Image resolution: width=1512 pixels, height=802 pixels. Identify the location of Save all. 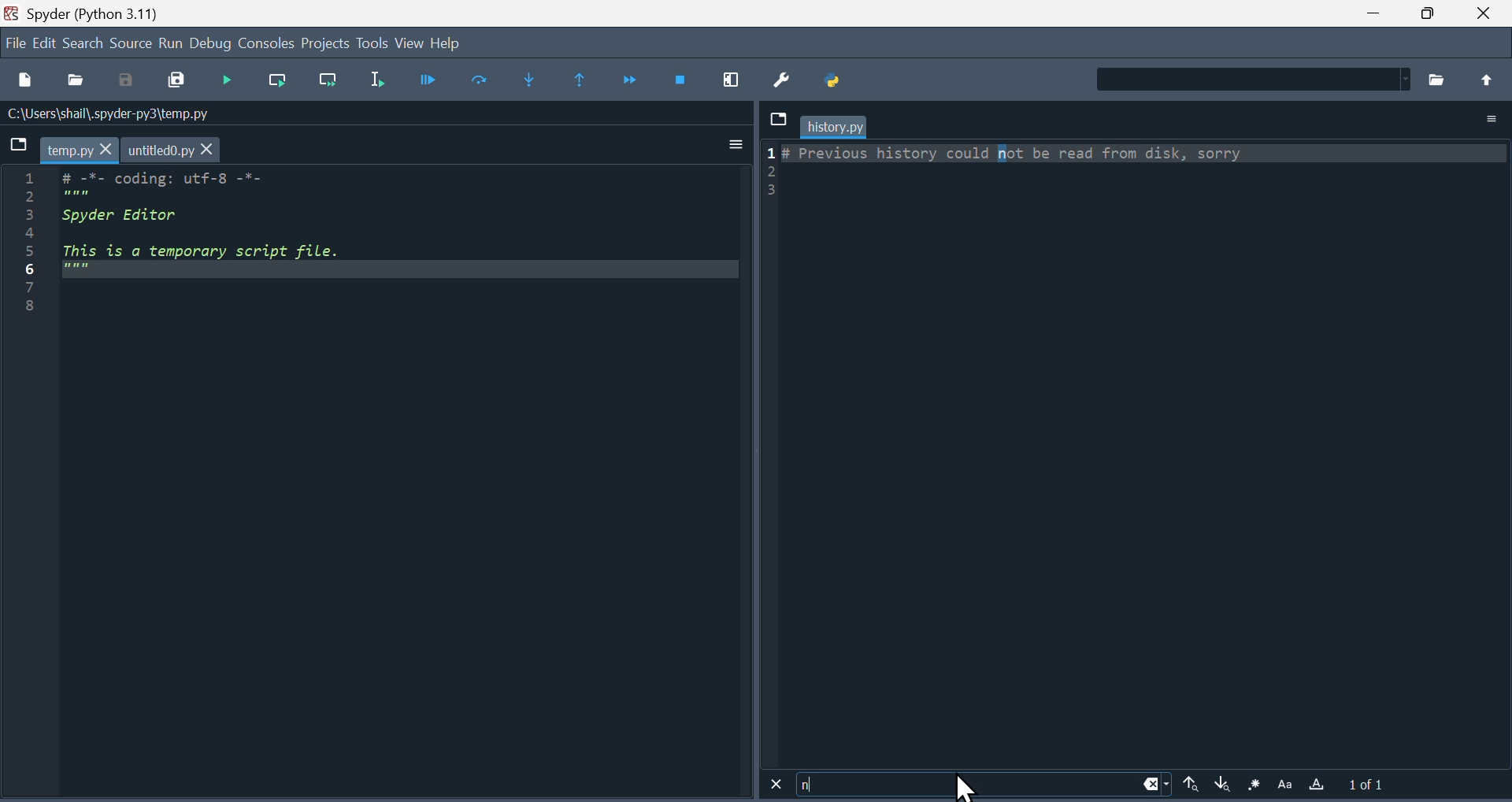
(181, 79).